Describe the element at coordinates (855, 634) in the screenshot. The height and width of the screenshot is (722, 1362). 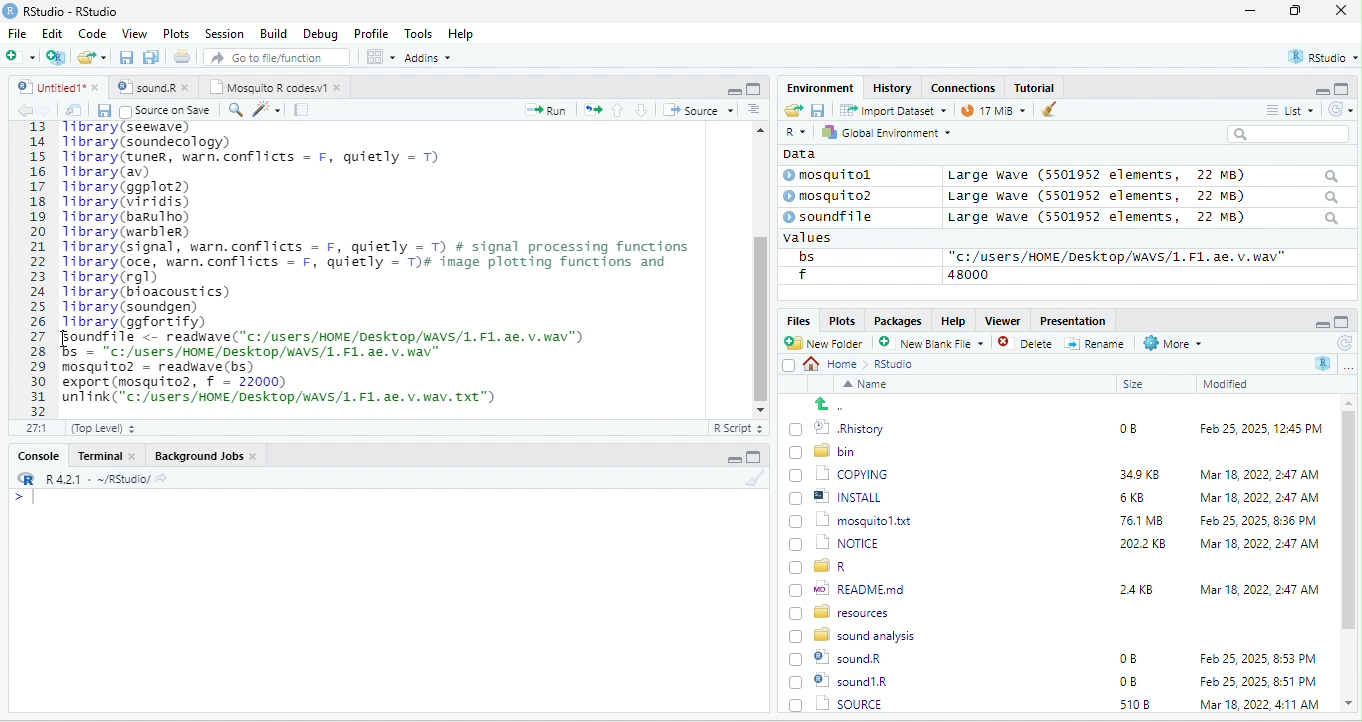
I see `8 sound analysis` at that location.